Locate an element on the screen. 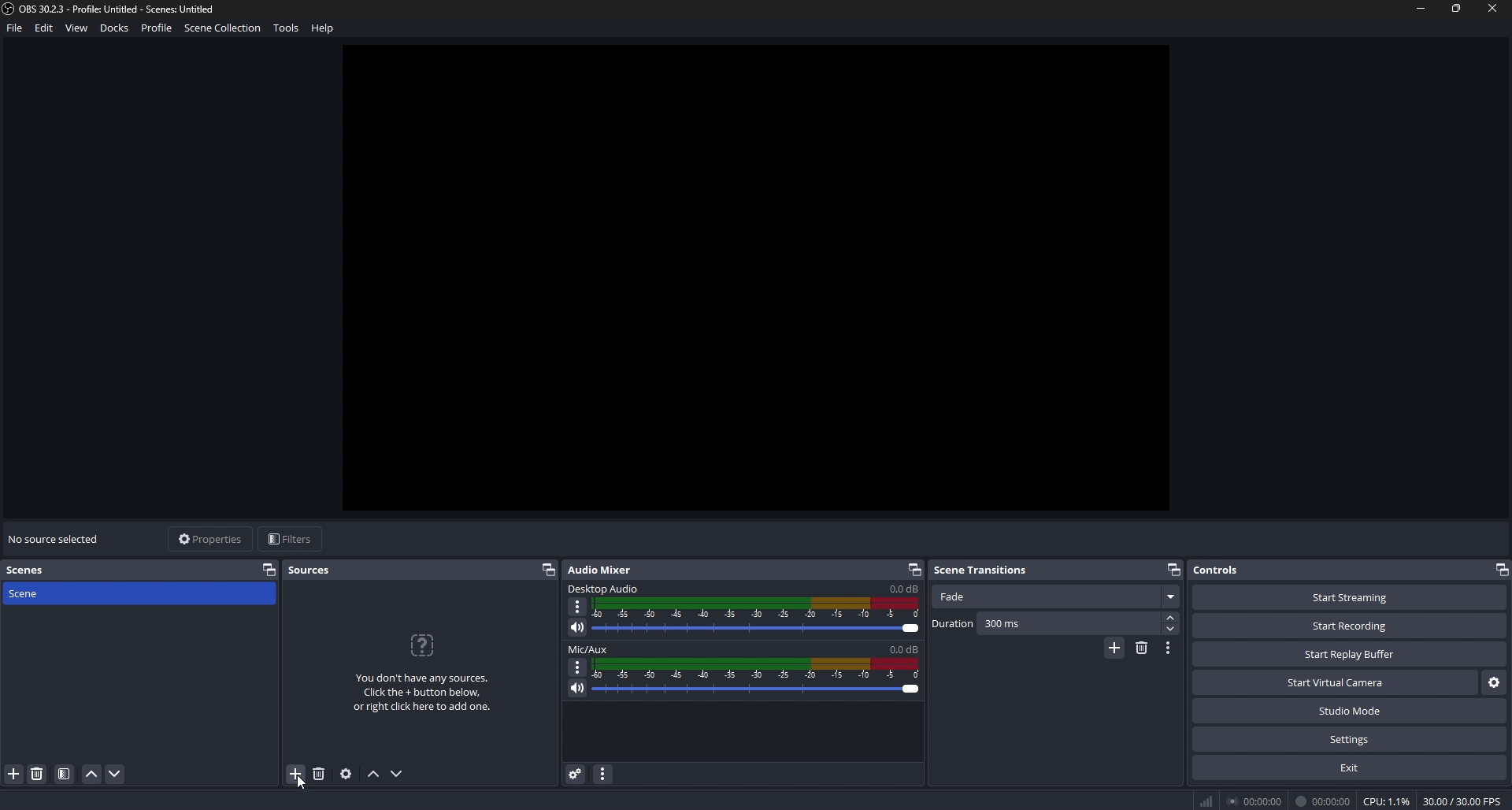  tools is located at coordinates (286, 28).